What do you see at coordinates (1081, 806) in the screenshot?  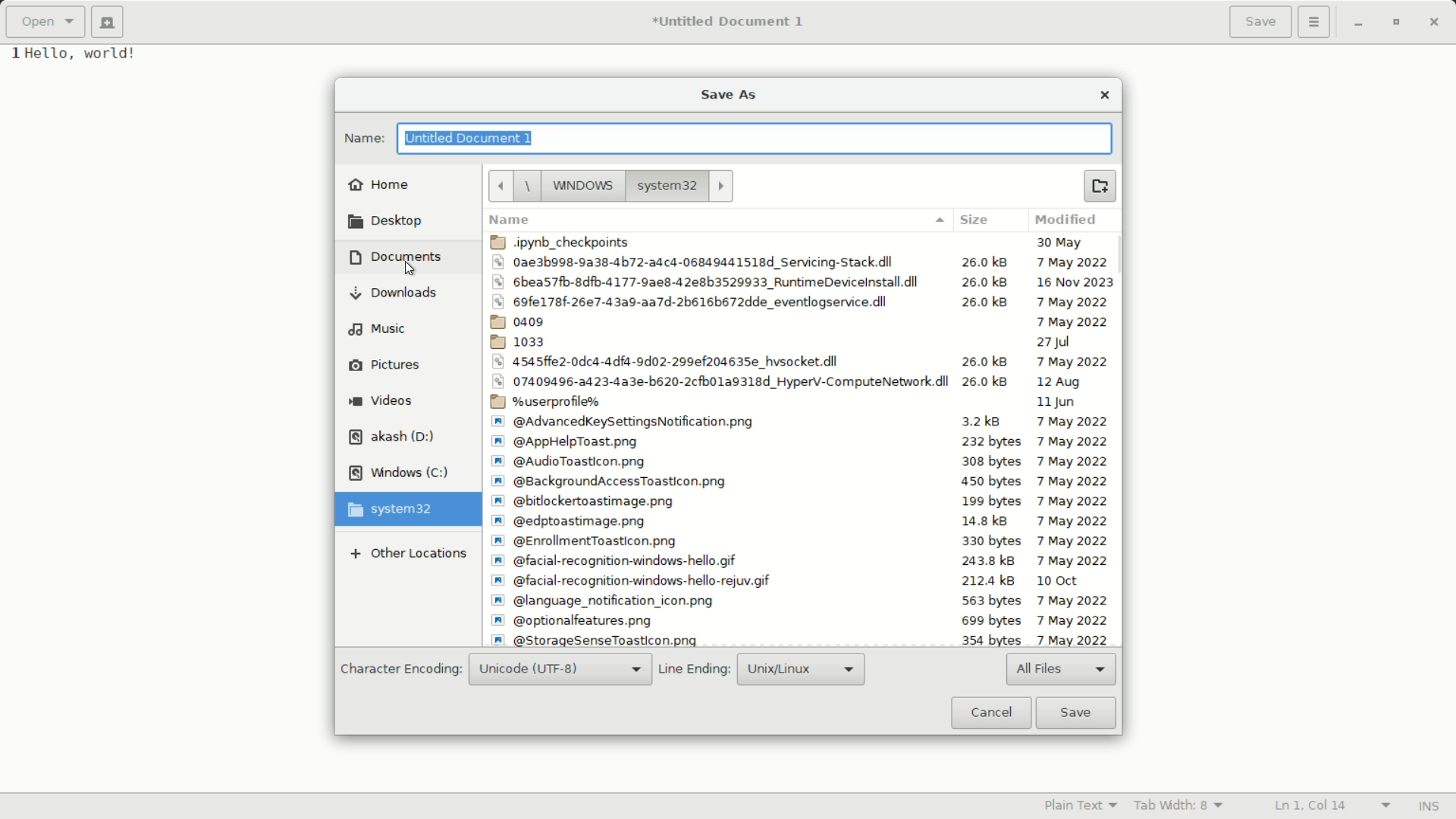 I see `Highlighting mode` at bounding box center [1081, 806].